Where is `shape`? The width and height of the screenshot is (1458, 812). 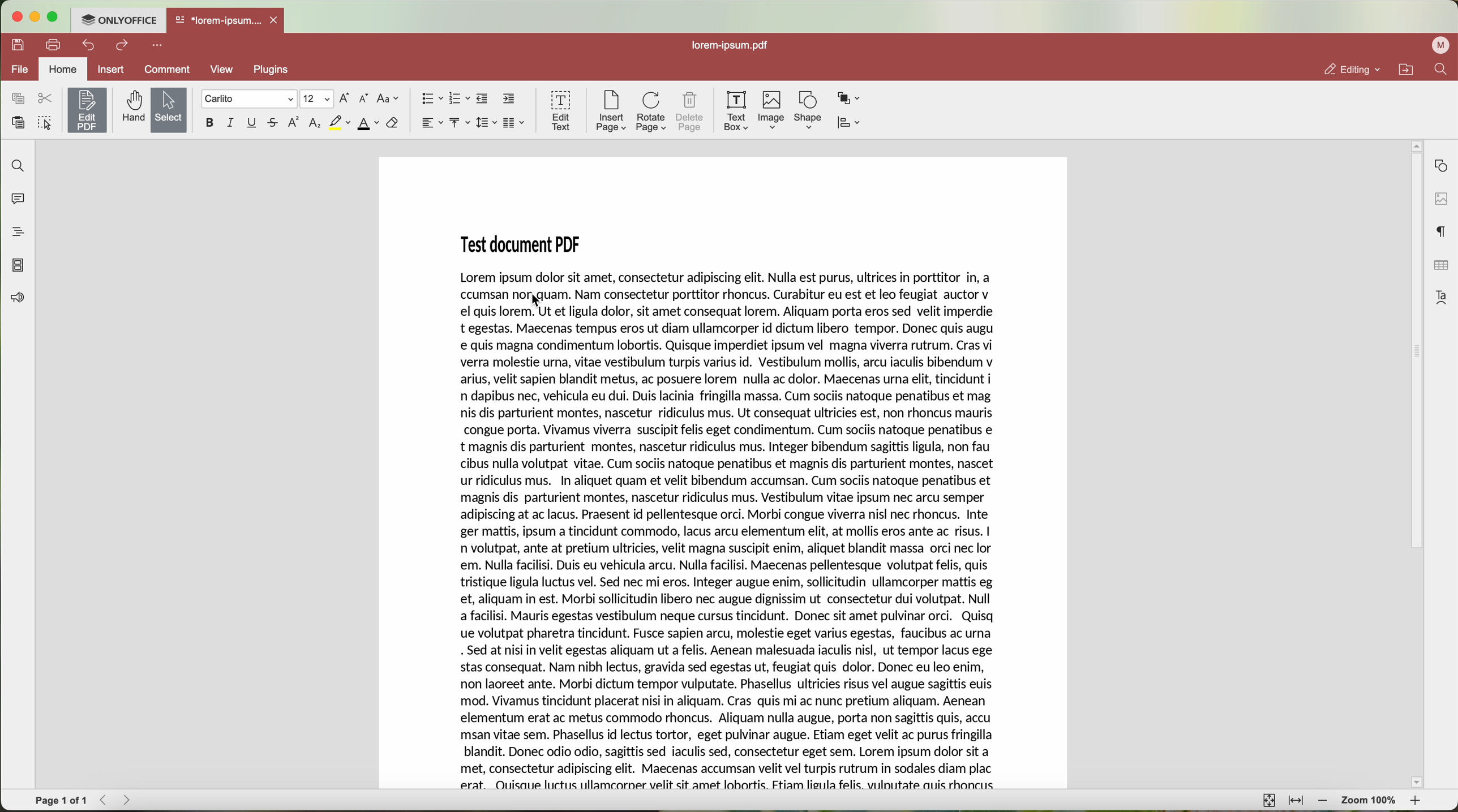
shape is located at coordinates (807, 110).